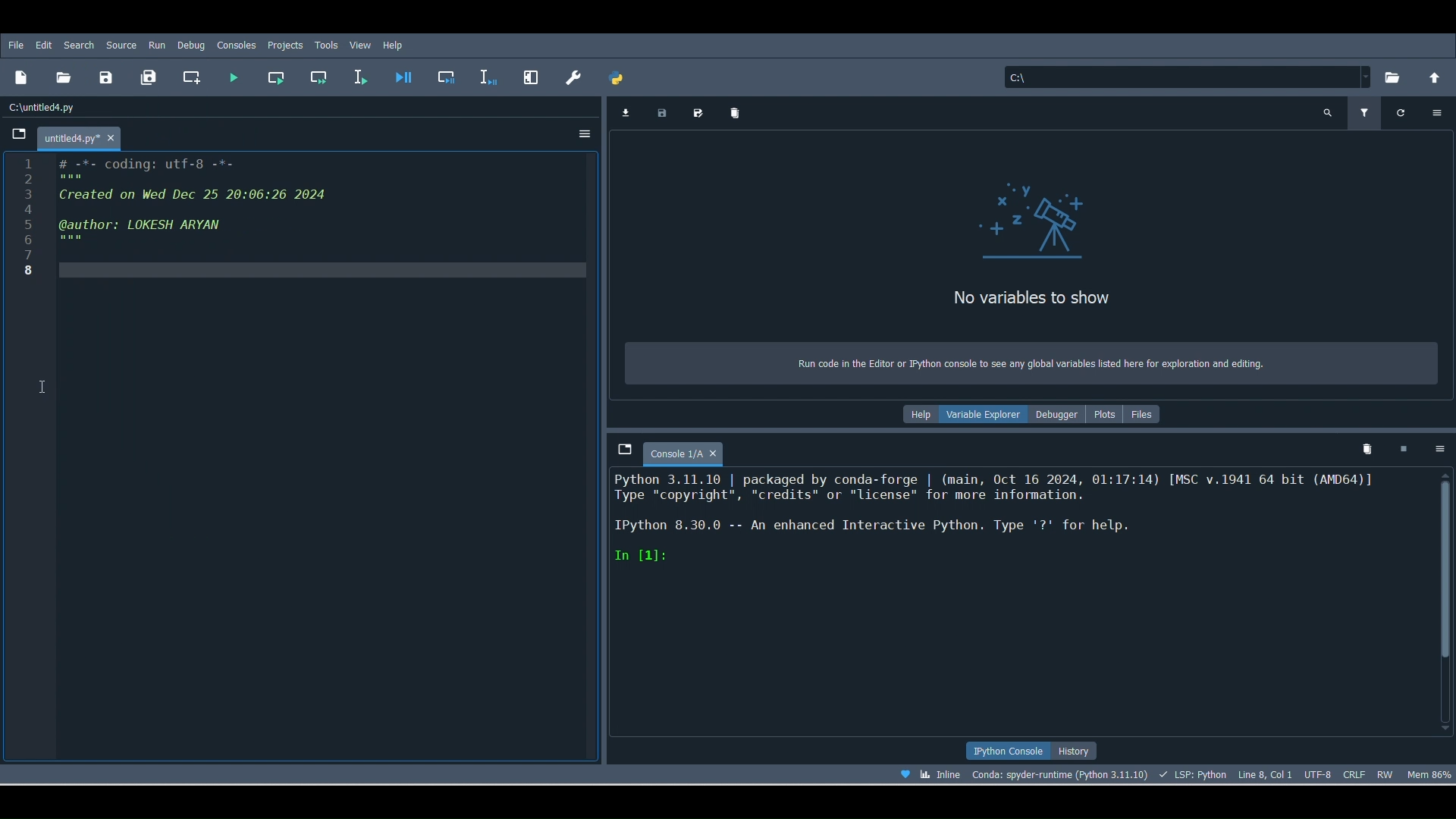 The height and width of the screenshot is (819, 1456). Describe the element at coordinates (1181, 76) in the screenshot. I see `File location` at that location.